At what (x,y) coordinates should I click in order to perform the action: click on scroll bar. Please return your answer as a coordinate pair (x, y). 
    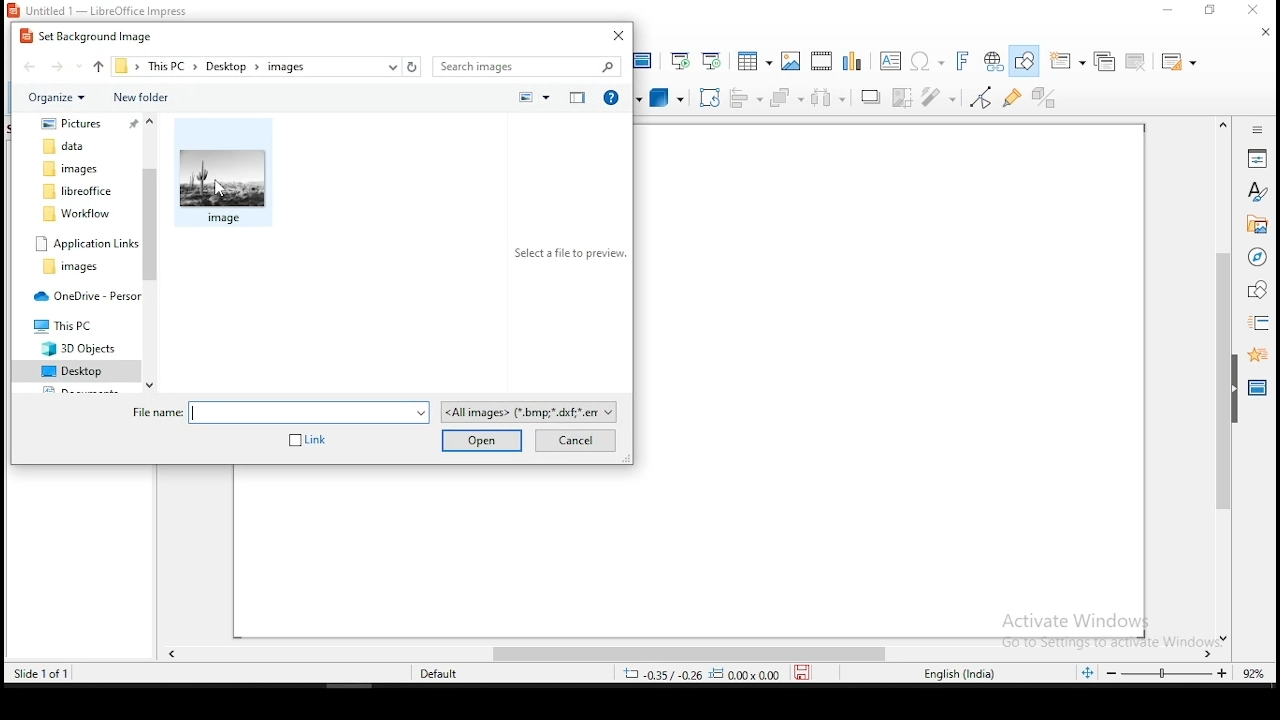
    Looking at the image, I should click on (686, 654).